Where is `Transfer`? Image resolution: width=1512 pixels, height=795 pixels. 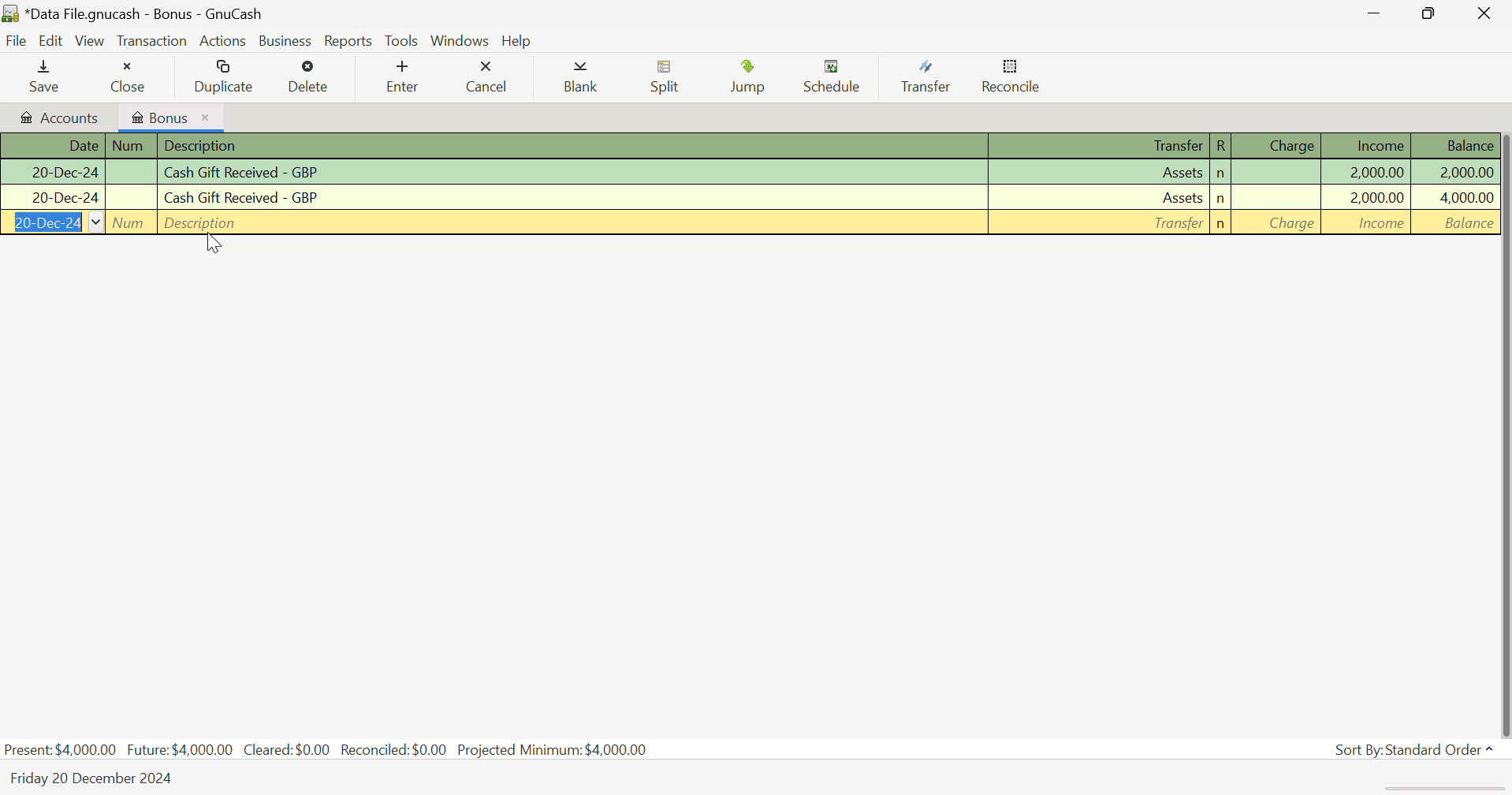 Transfer is located at coordinates (1101, 147).